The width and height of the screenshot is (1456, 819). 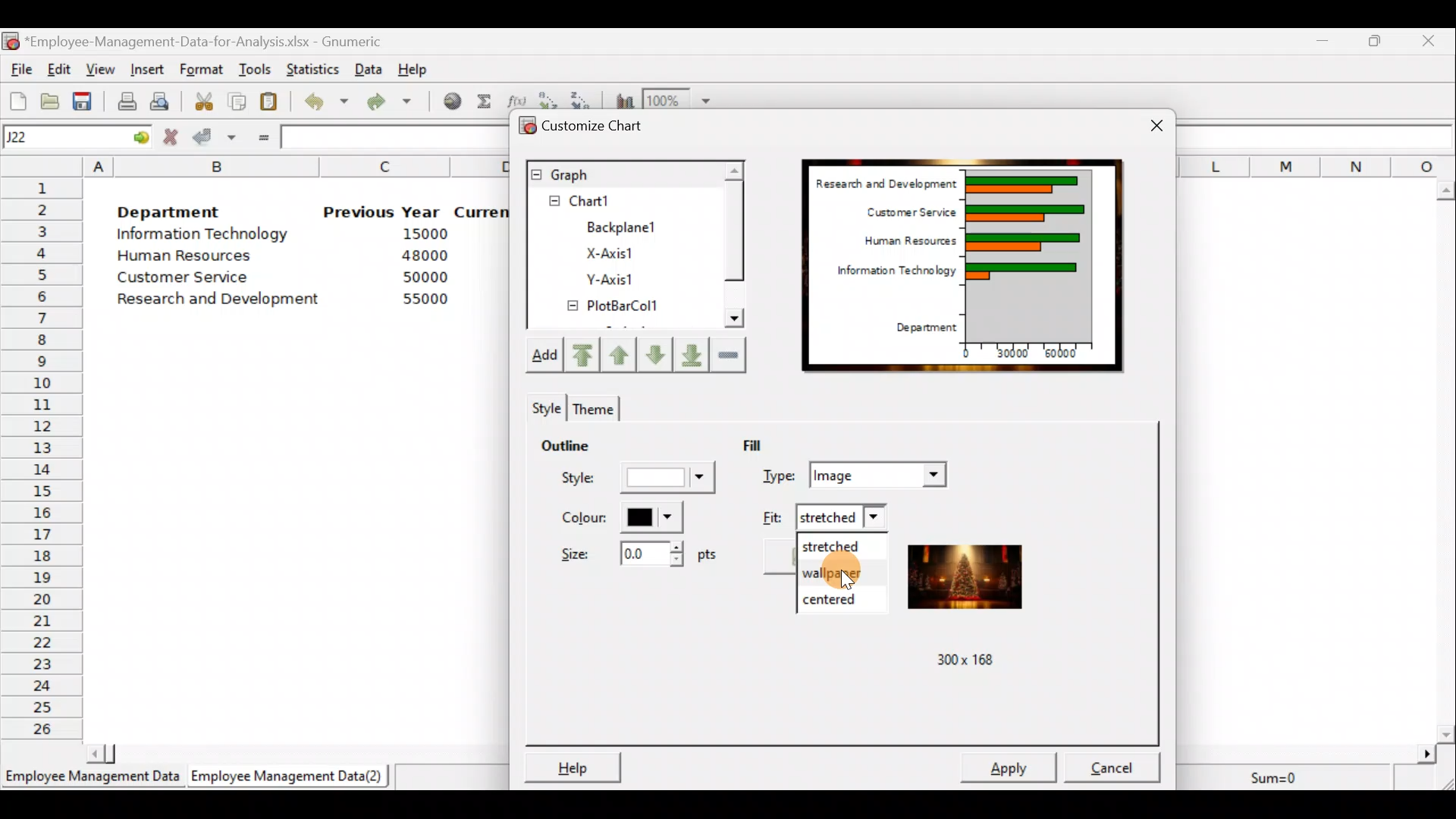 I want to click on Edit, so click(x=61, y=68).